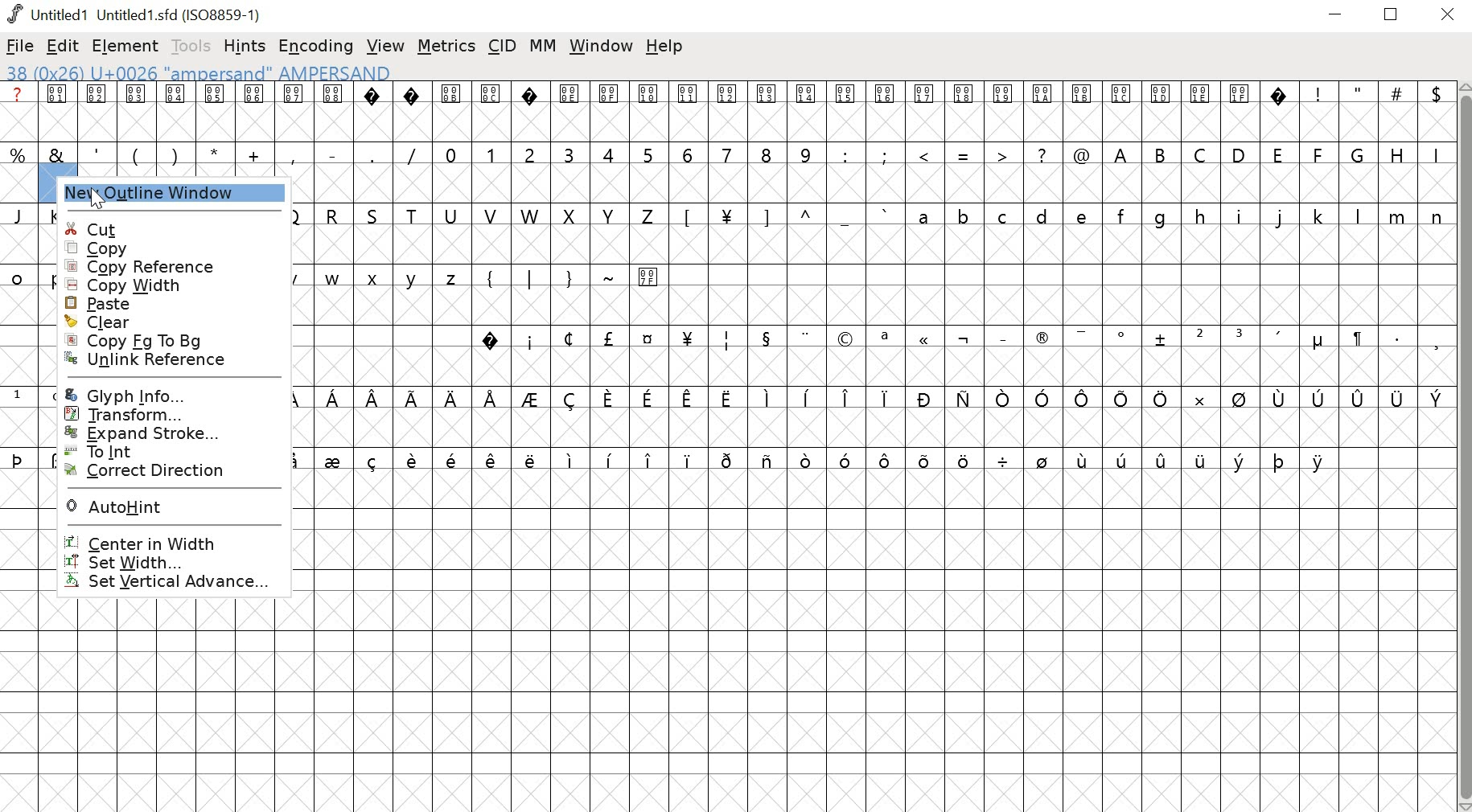  What do you see at coordinates (530, 339) in the screenshot?
I see `i` at bounding box center [530, 339].